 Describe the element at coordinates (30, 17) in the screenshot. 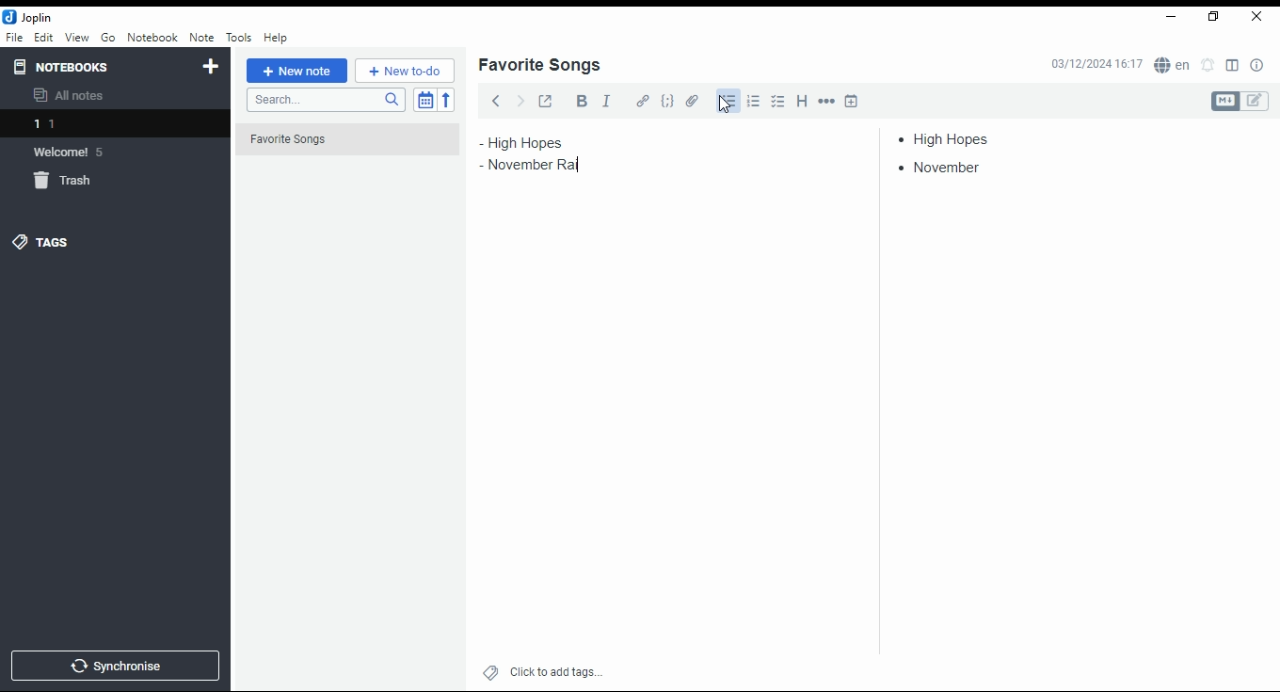

I see `icon` at that location.